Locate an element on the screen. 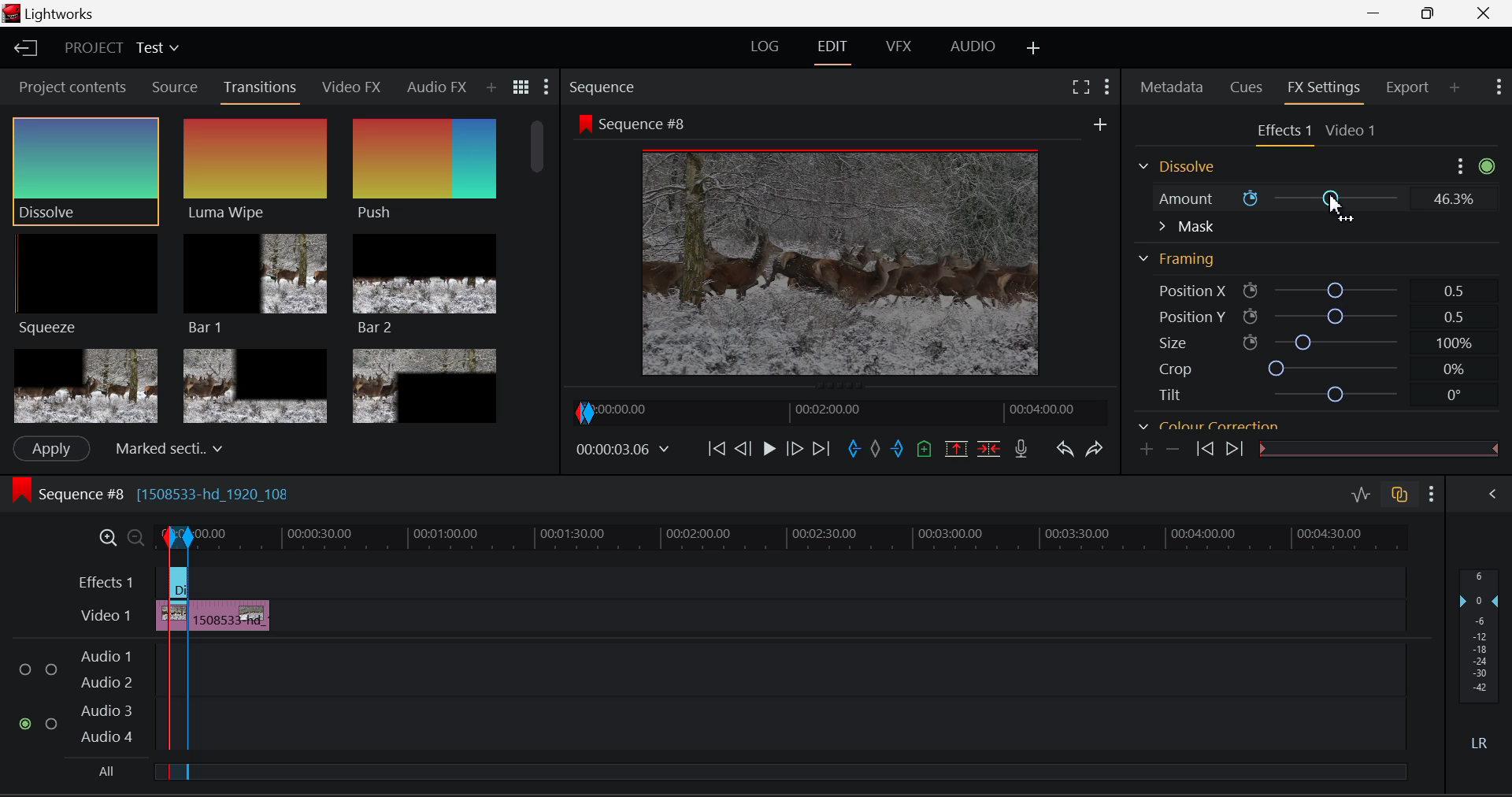 The height and width of the screenshot is (797, 1512). Dissolve Section is located at coordinates (1181, 168).